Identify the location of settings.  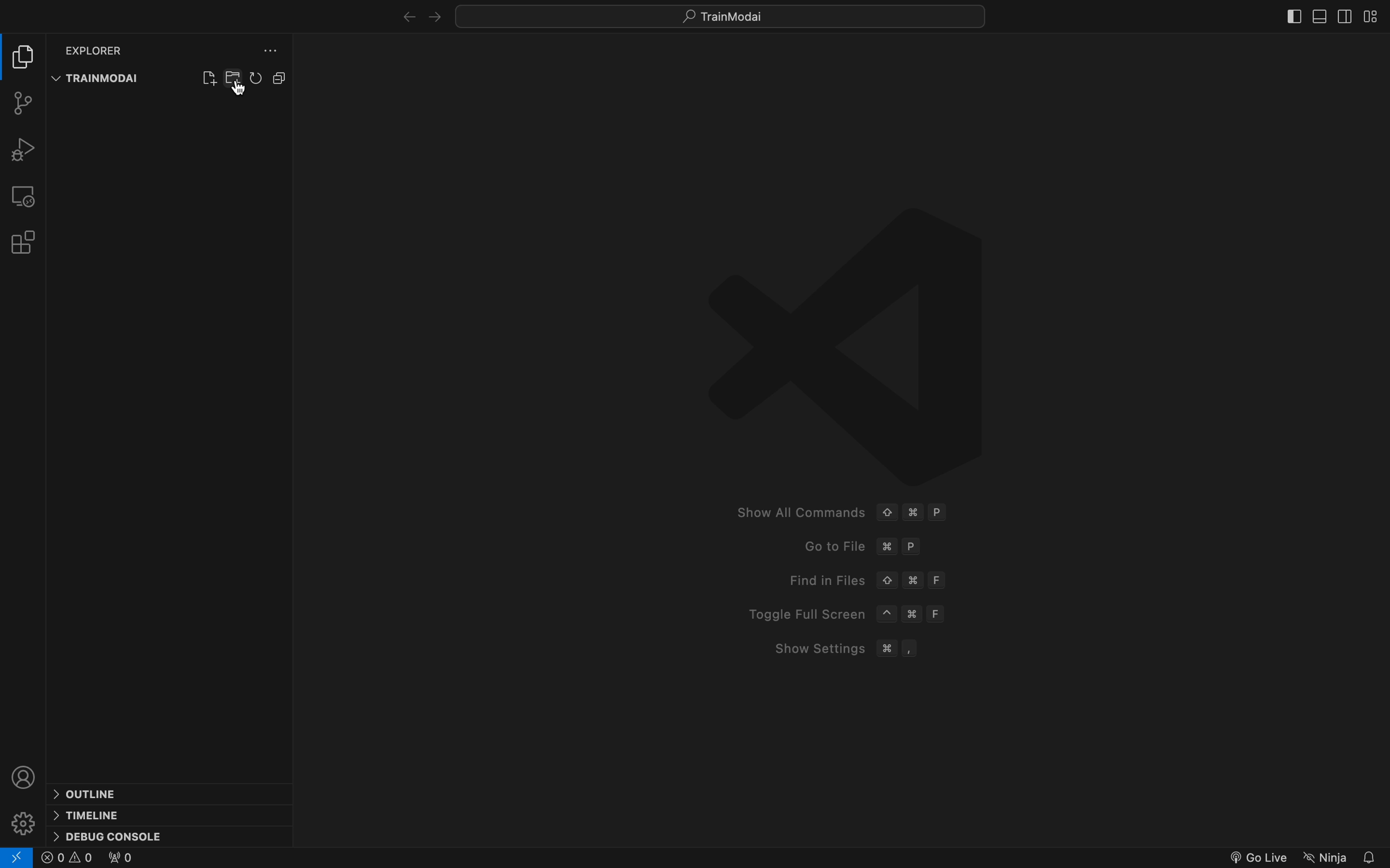
(26, 821).